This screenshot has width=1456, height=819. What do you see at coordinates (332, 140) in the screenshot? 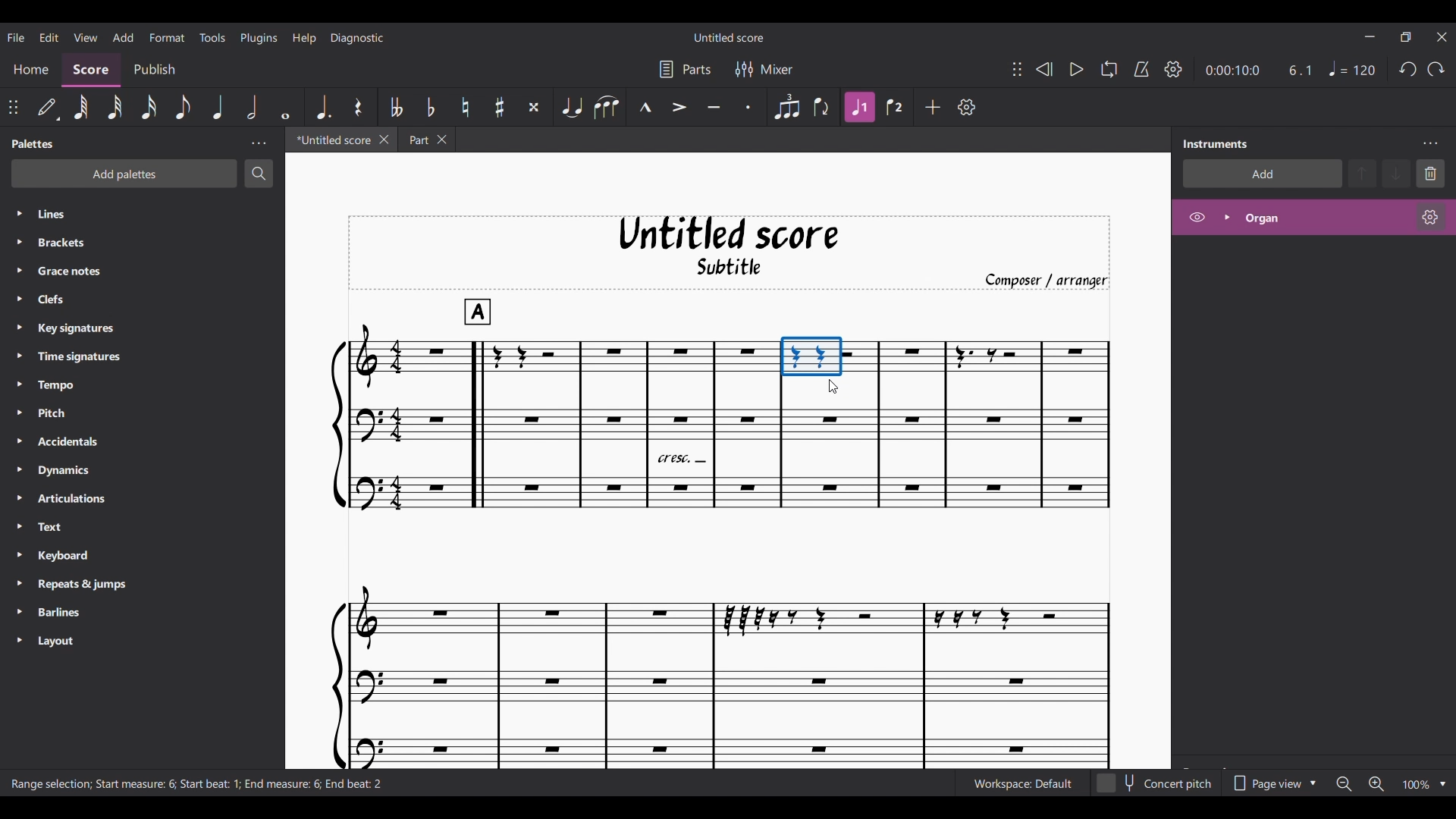
I see `Current tab, highlighted` at bounding box center [332, 140].